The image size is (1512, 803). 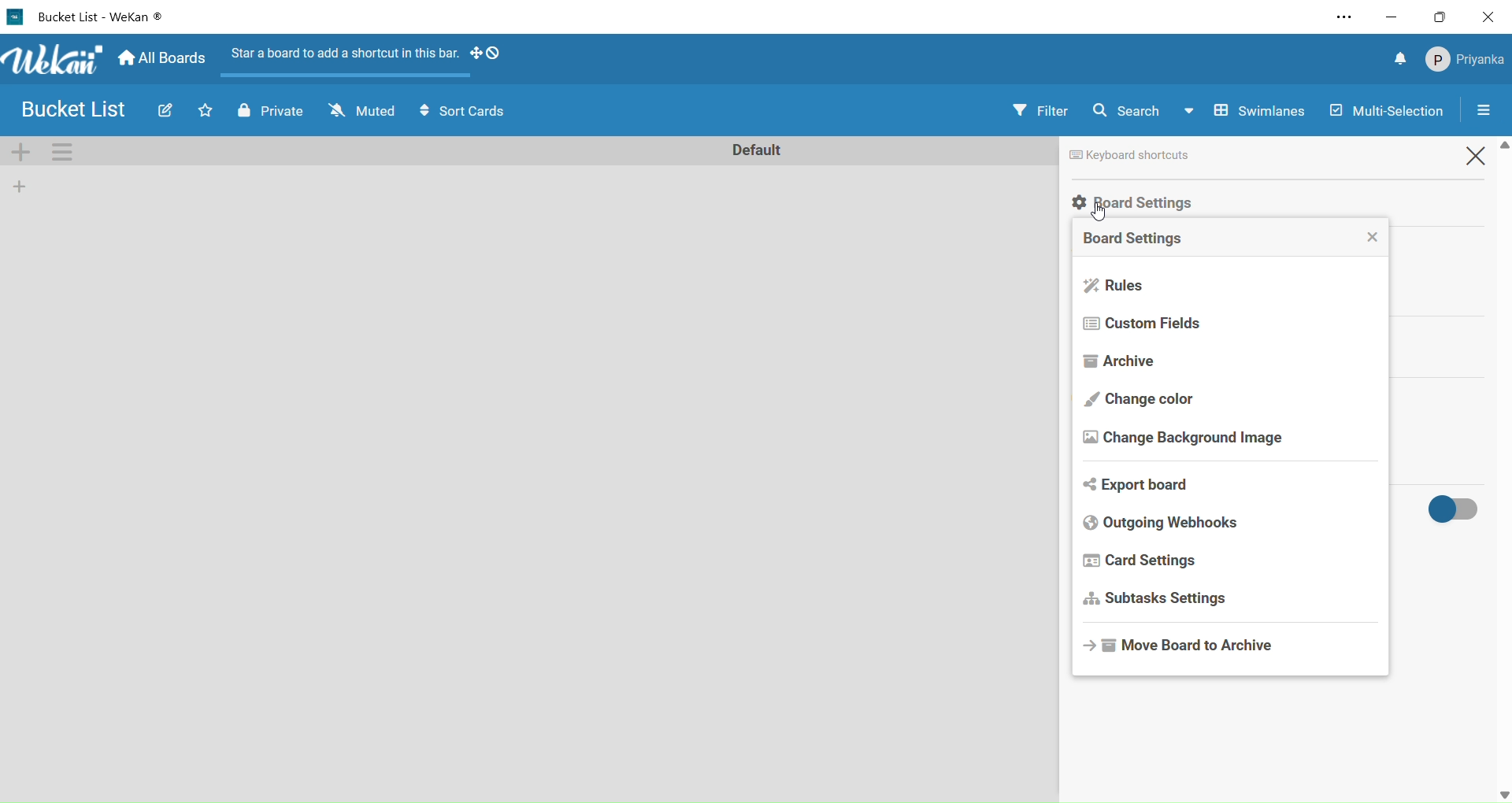 What do you see at coordinates (1232, 487) in the screenshot?
I see `export board` at bounding box center [1232, 487].